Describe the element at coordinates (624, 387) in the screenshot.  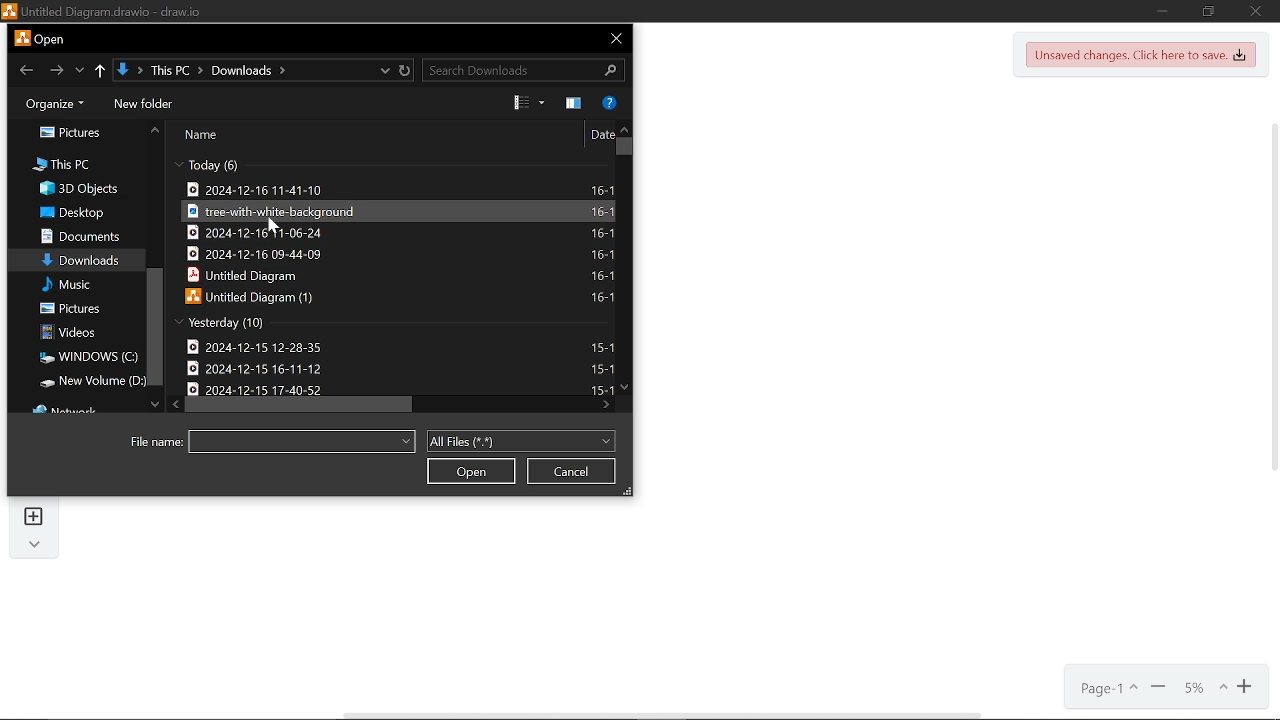
I see `Move down in files` at that location.